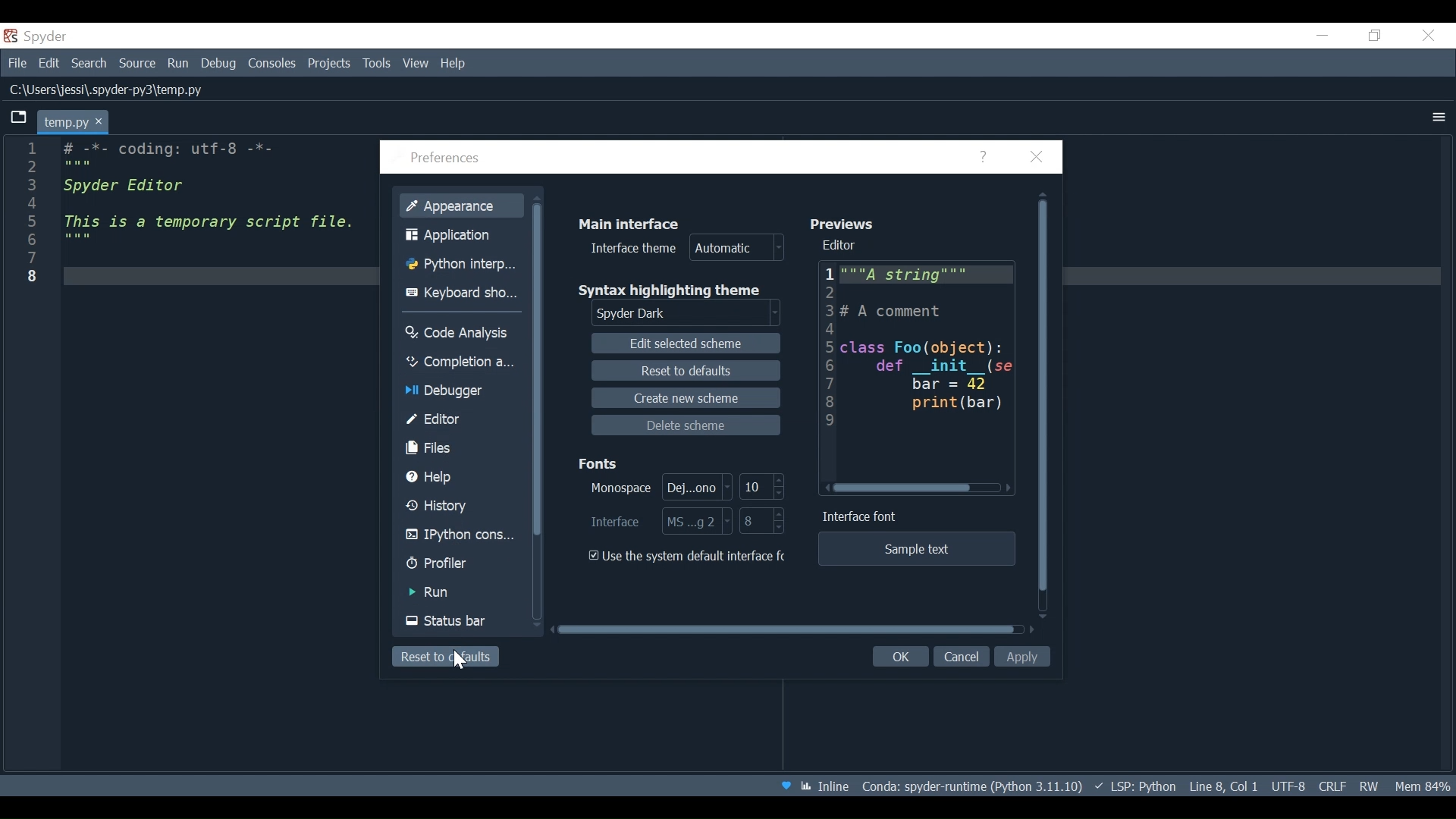 This screenshot has height=819, width=1456. I want to click on Main Interface, so click(635, 222).